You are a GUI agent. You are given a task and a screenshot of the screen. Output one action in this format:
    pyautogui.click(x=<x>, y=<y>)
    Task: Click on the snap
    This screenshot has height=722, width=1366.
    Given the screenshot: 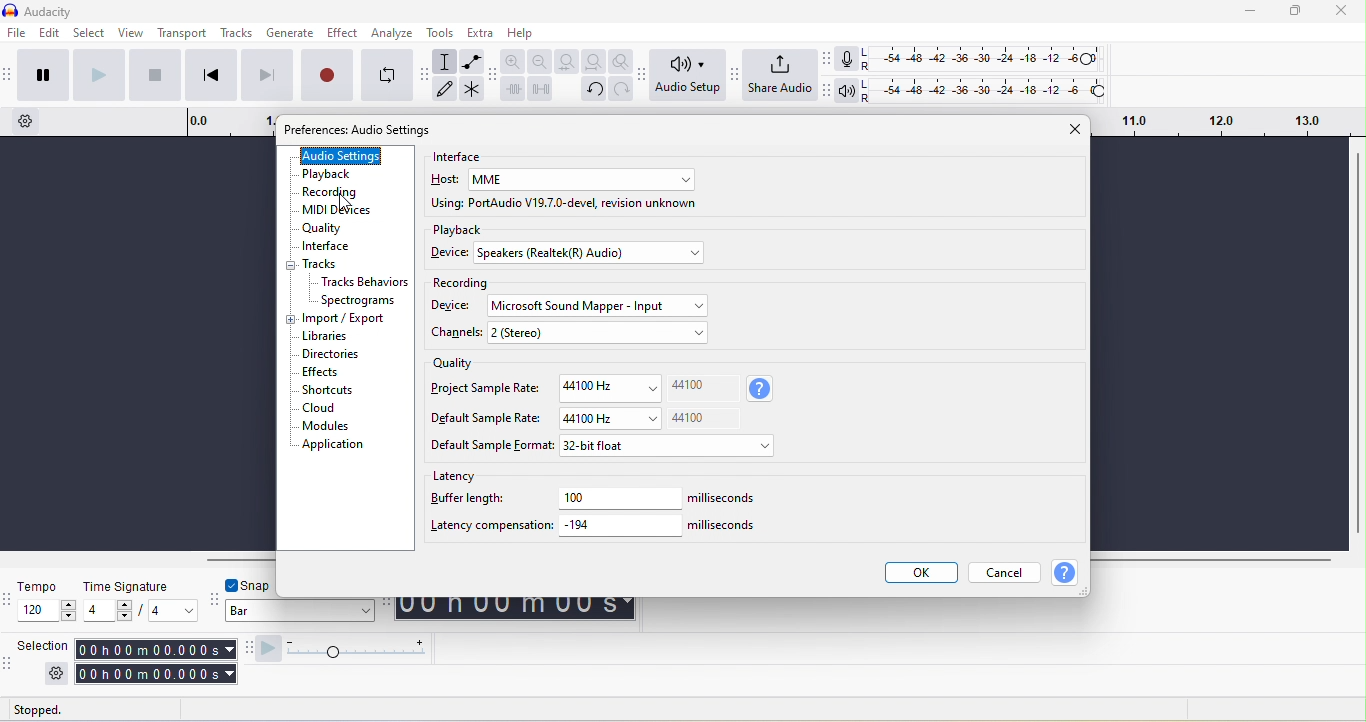 What is the action you would take?
    pyautogui.click(x=249, y=586)
    